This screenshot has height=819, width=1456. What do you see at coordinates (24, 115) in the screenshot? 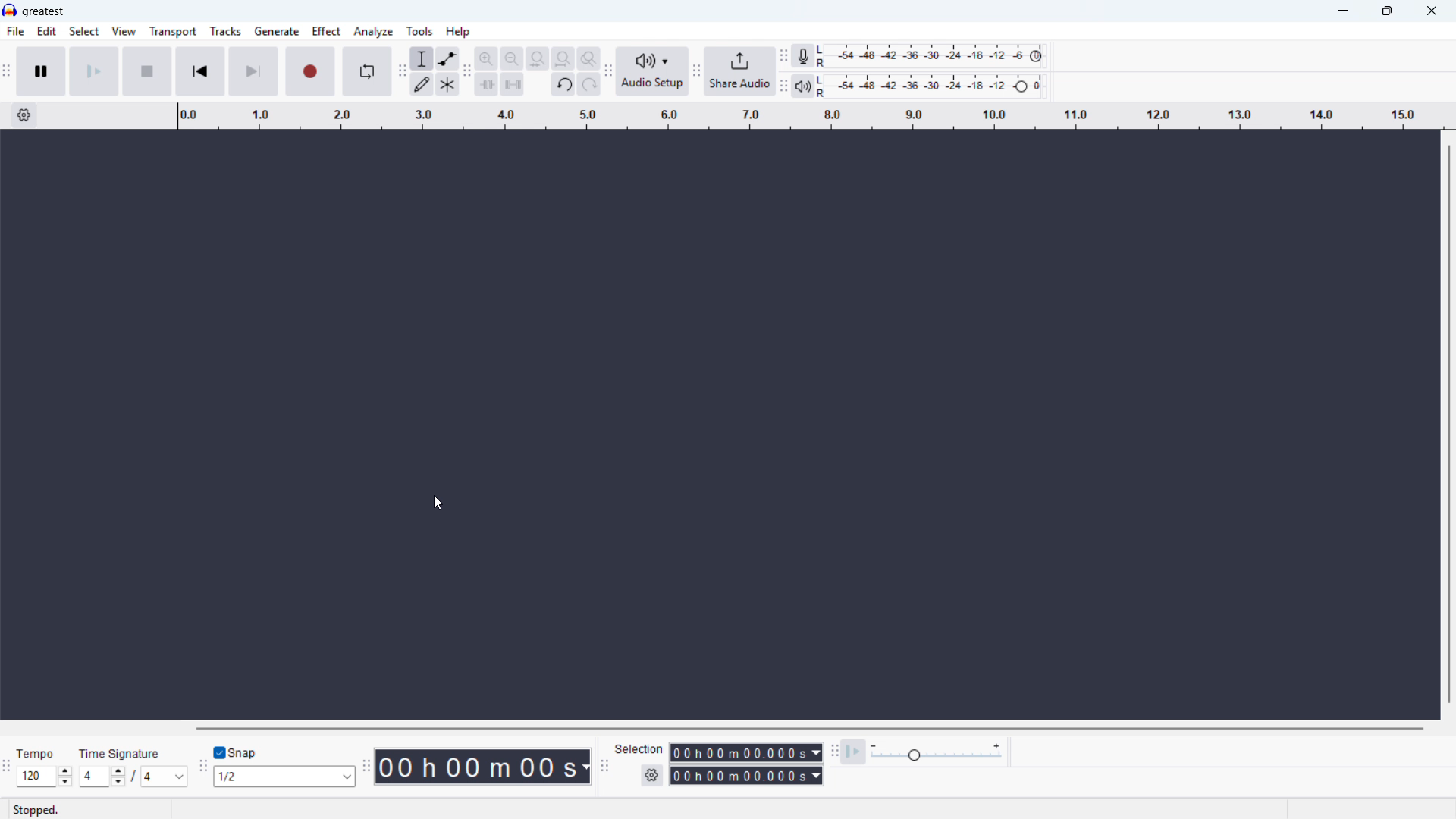
I see `Timeline settings ` at bounding box center [24, 115].